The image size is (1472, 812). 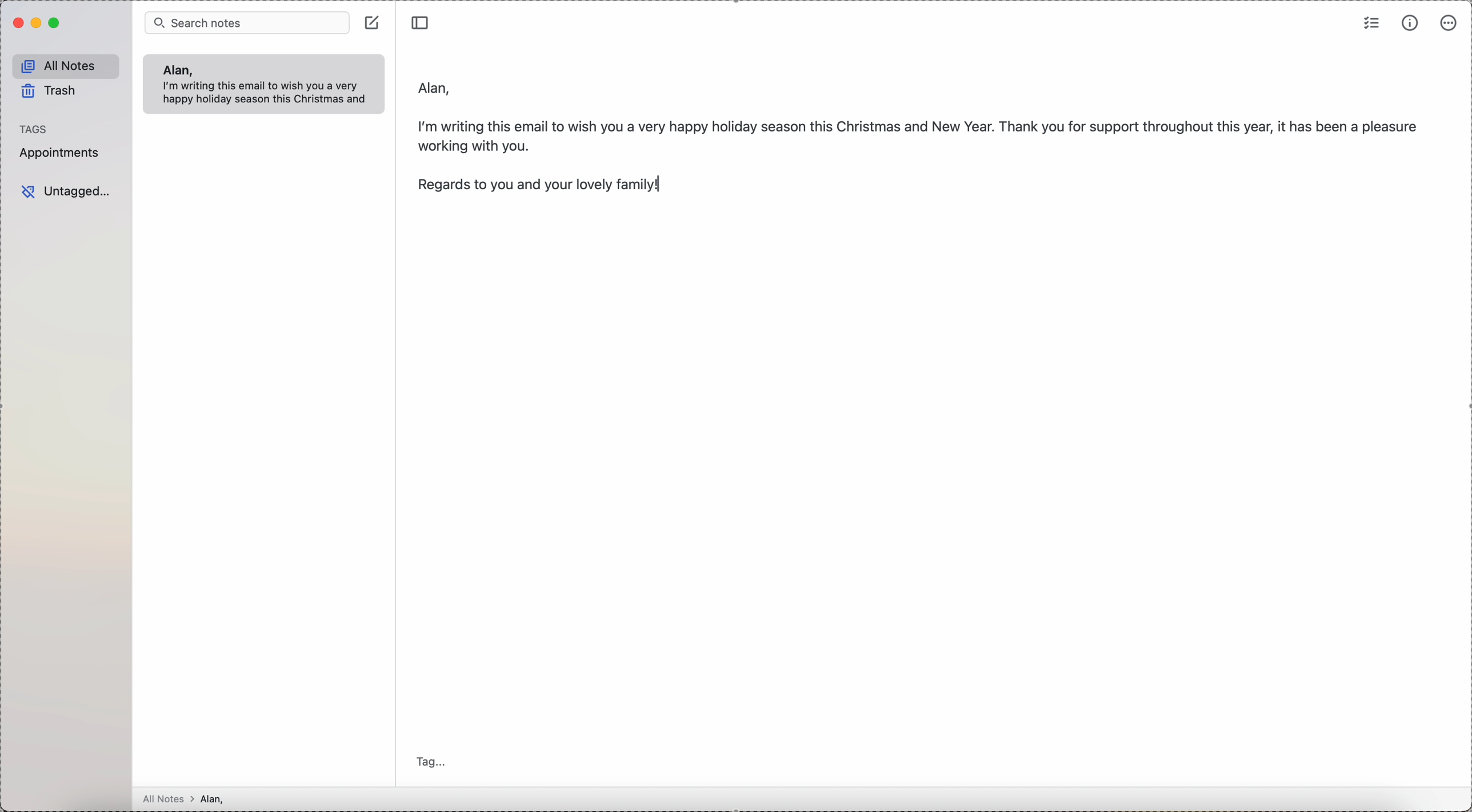 What do you see at coordinates (374, 22) in the screenshot?
I see `create note` at bounding box center [374, 22].